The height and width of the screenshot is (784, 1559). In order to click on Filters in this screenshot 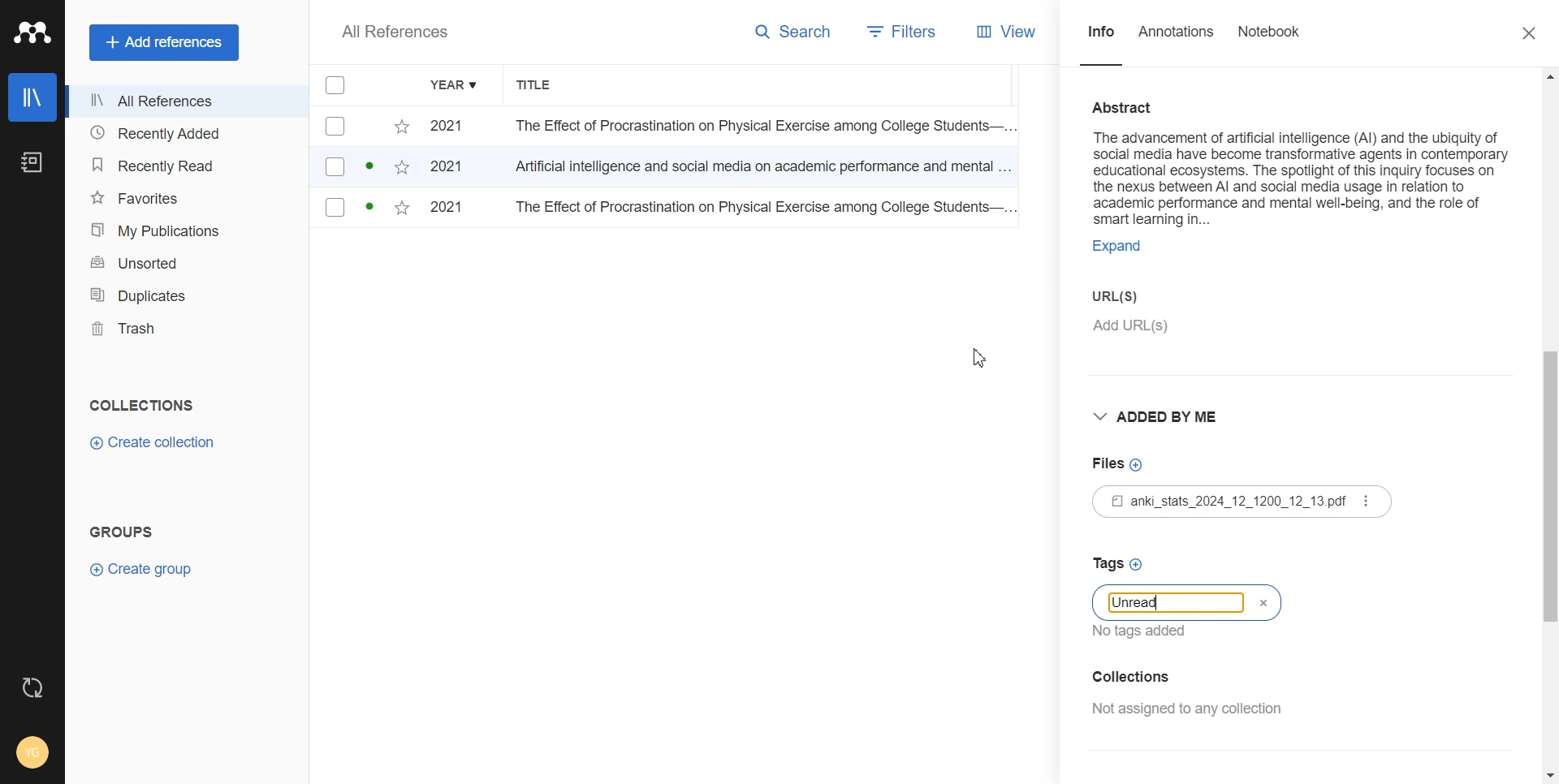, I will do `click(899, 32)`.